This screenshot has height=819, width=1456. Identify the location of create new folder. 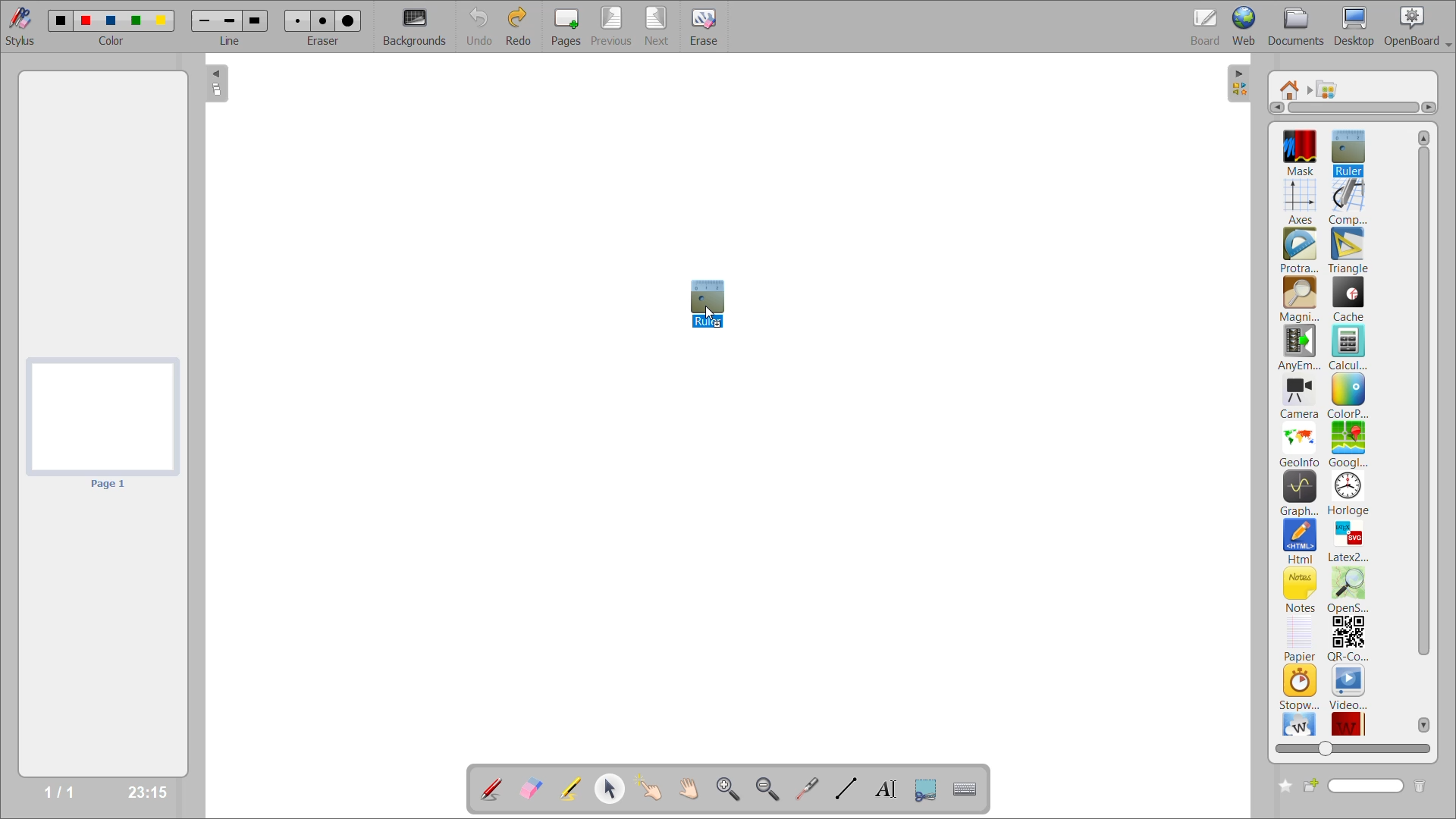
(1282, 786).